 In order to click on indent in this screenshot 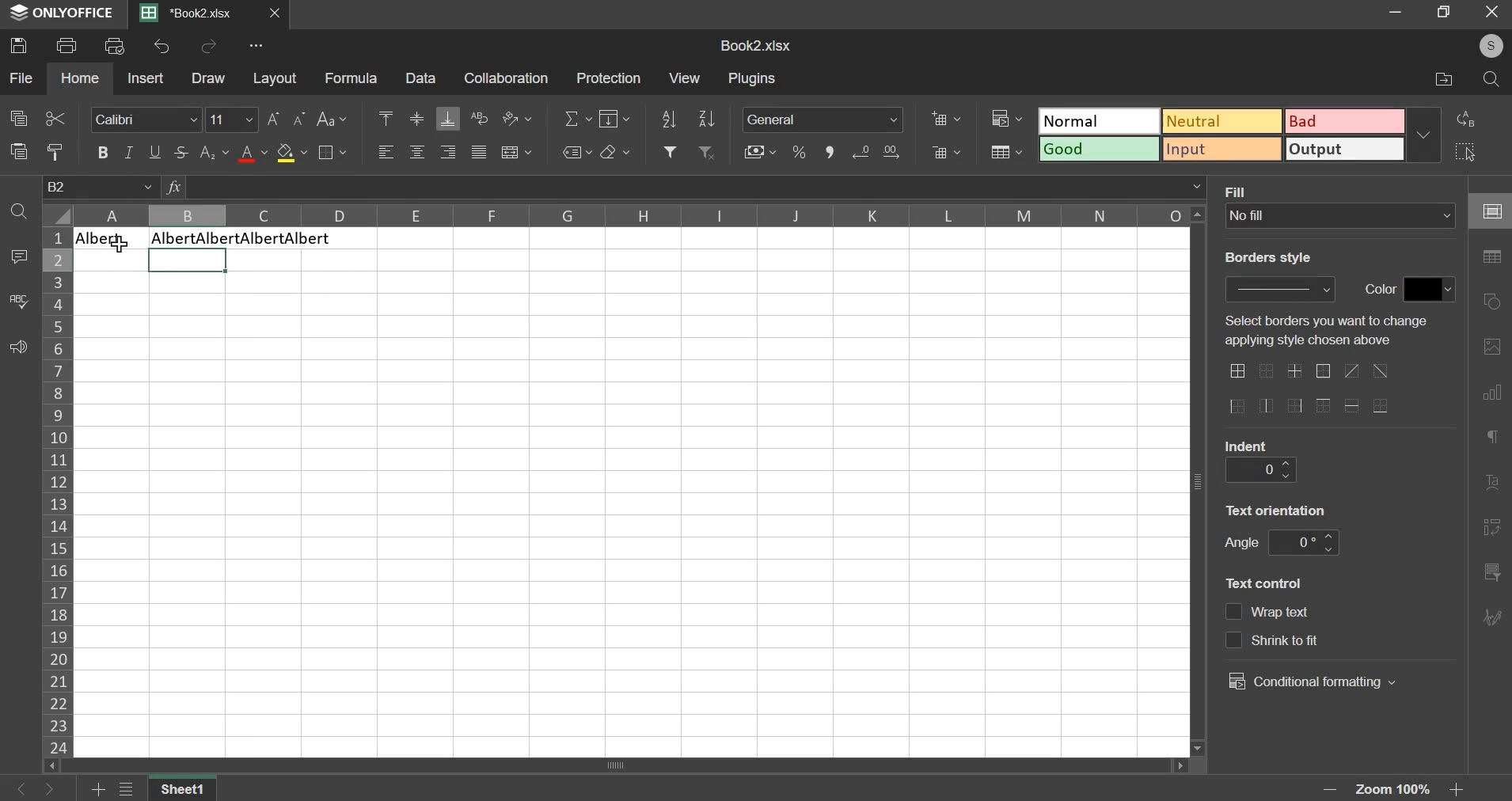, I will do `click(1257, 469)`.